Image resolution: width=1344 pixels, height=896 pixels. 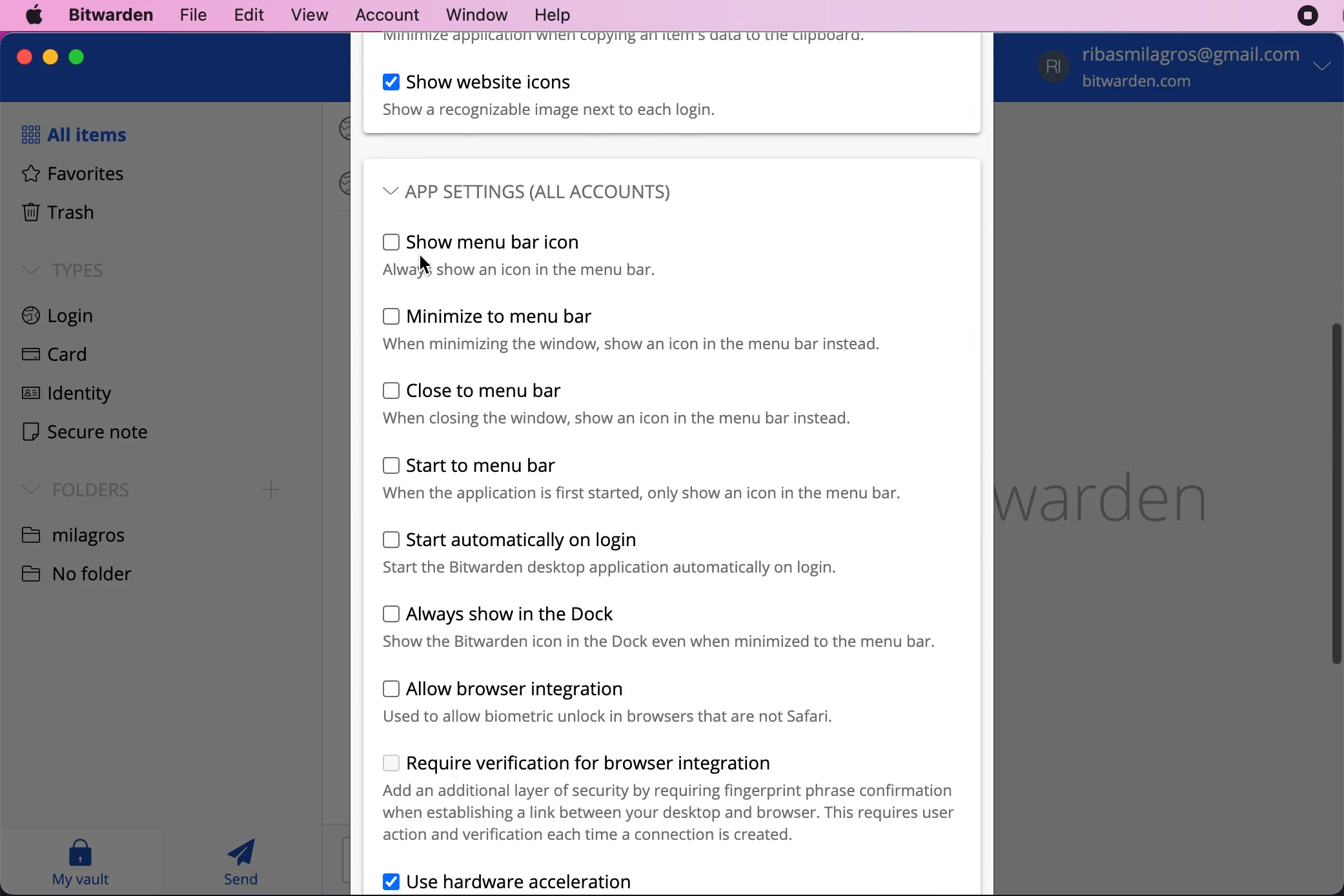 I want to click on app settings (all accounts), so click(x=544, y=193).